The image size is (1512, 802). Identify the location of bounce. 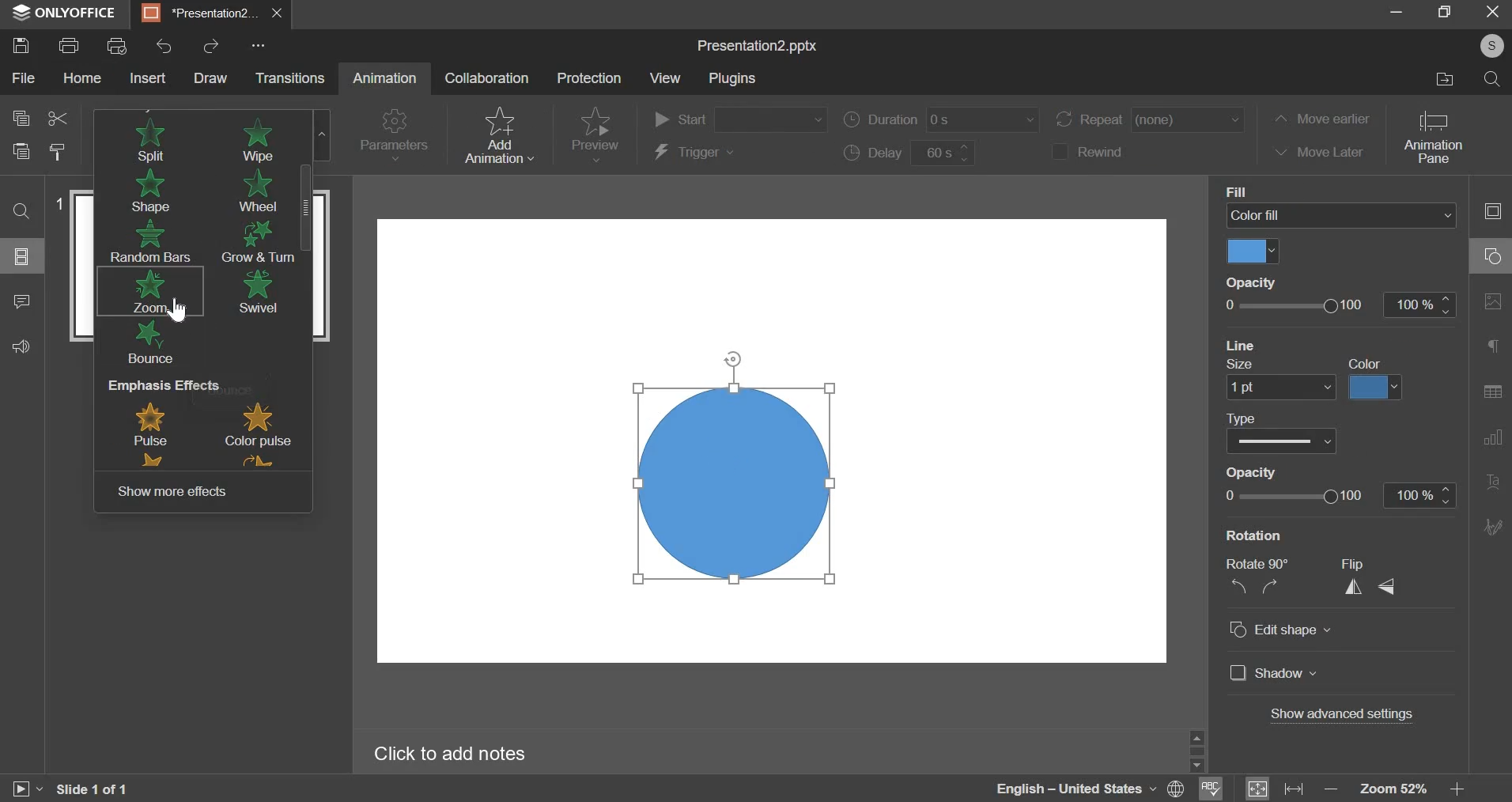
(154, 343).